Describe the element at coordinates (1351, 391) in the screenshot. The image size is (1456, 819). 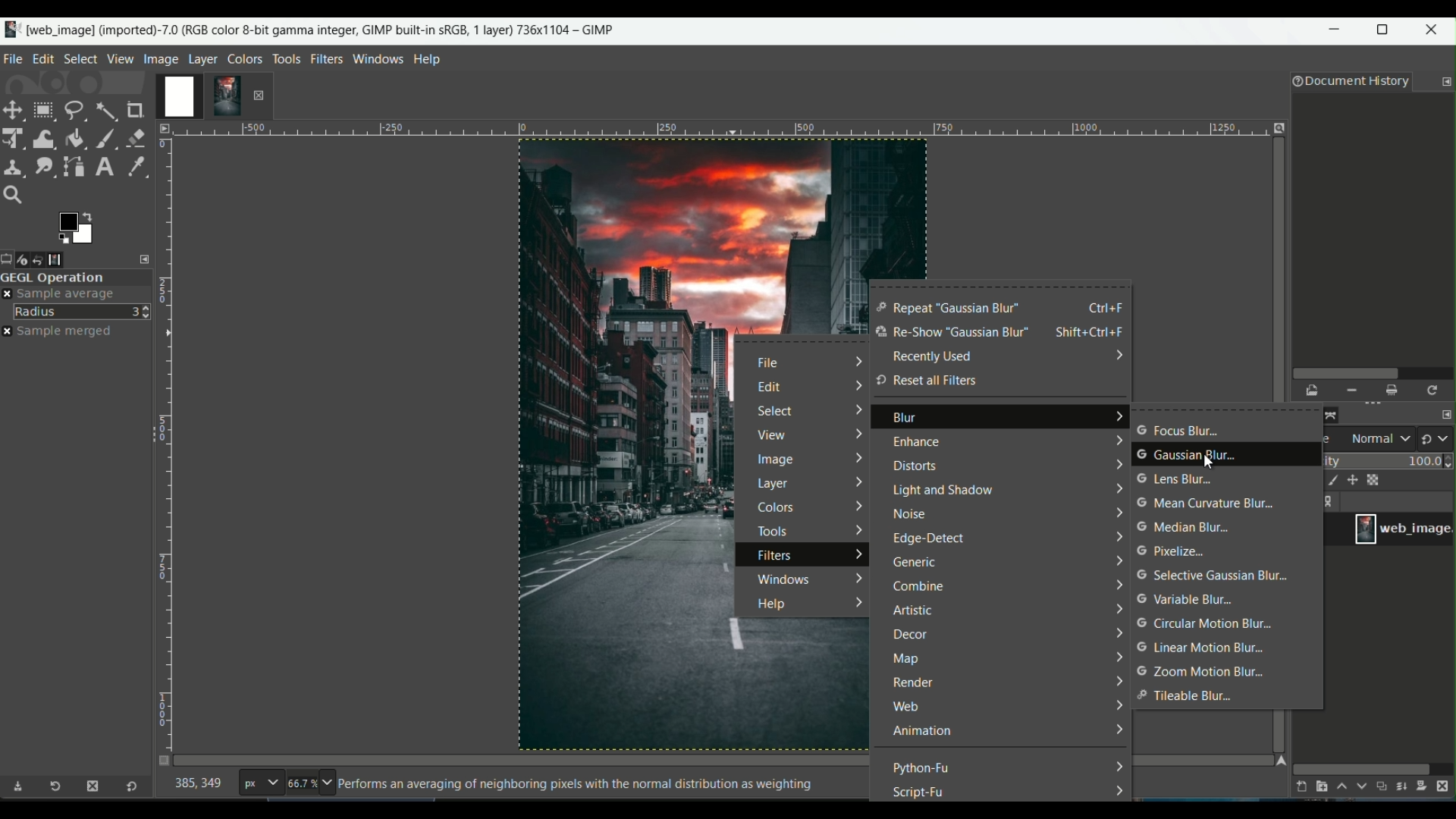
I see `remove the selected entry` at that location.